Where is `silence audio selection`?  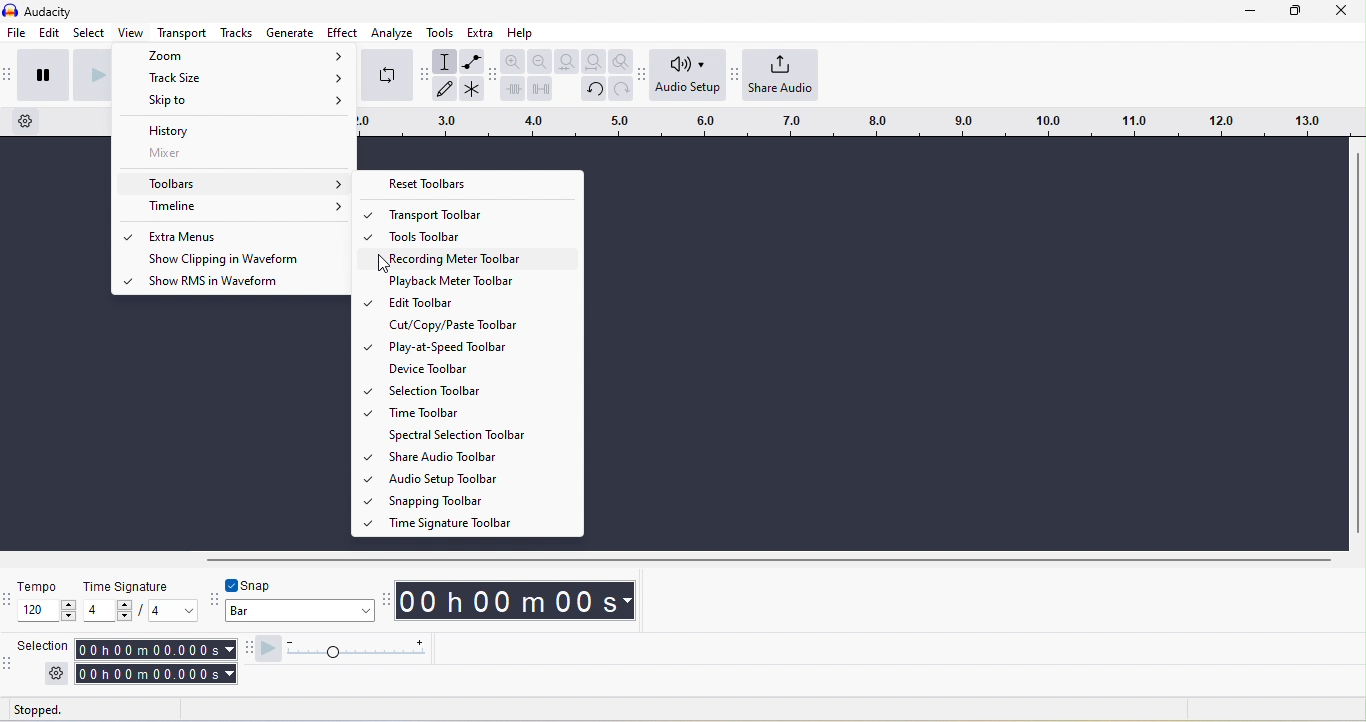
silence audio selection is located at coordinates (540, 89).